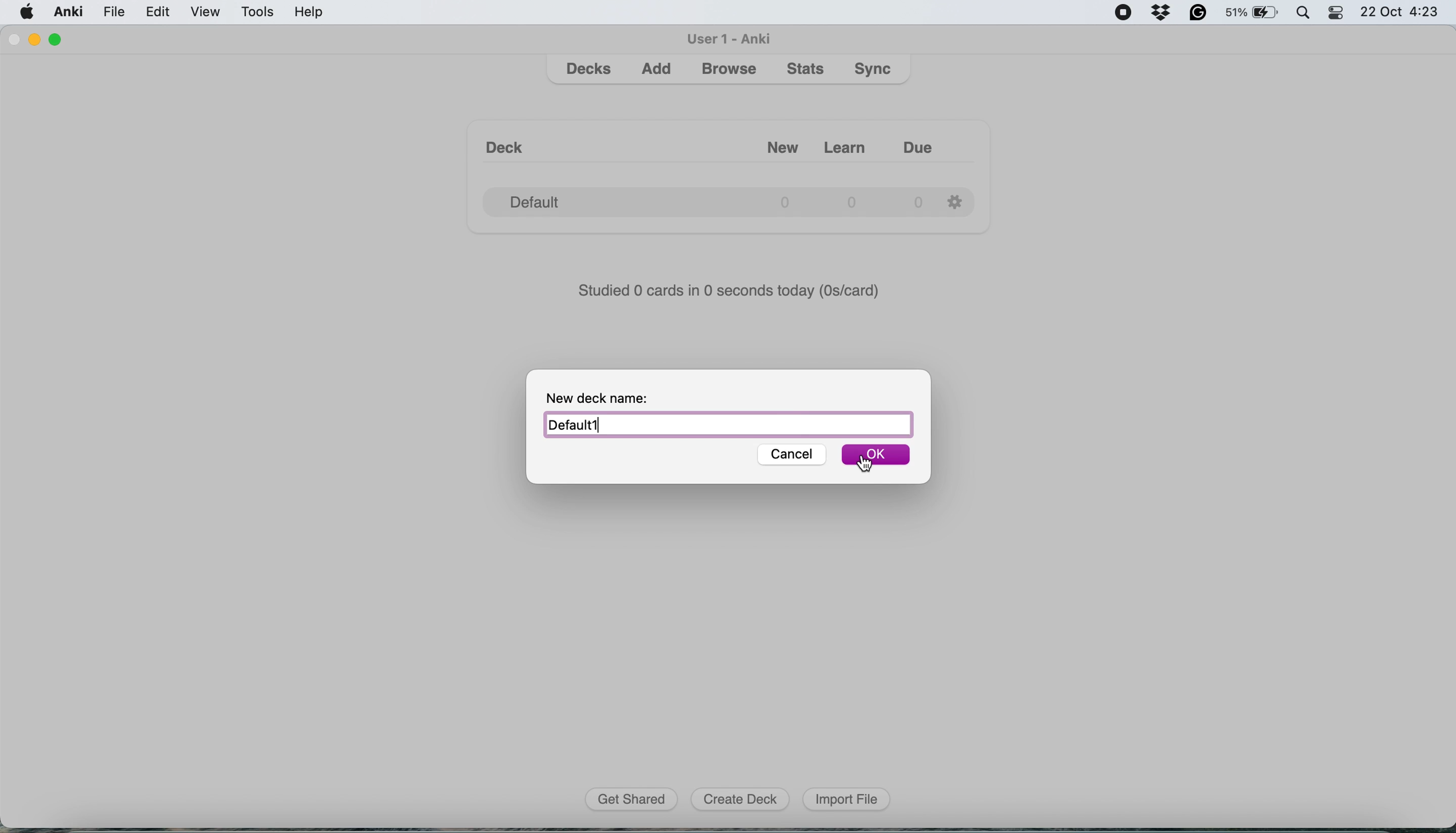 The image size is (1456, 833). Describe the element at coordinates (848, 143) in the screenshot. I see `Learn` at that location.